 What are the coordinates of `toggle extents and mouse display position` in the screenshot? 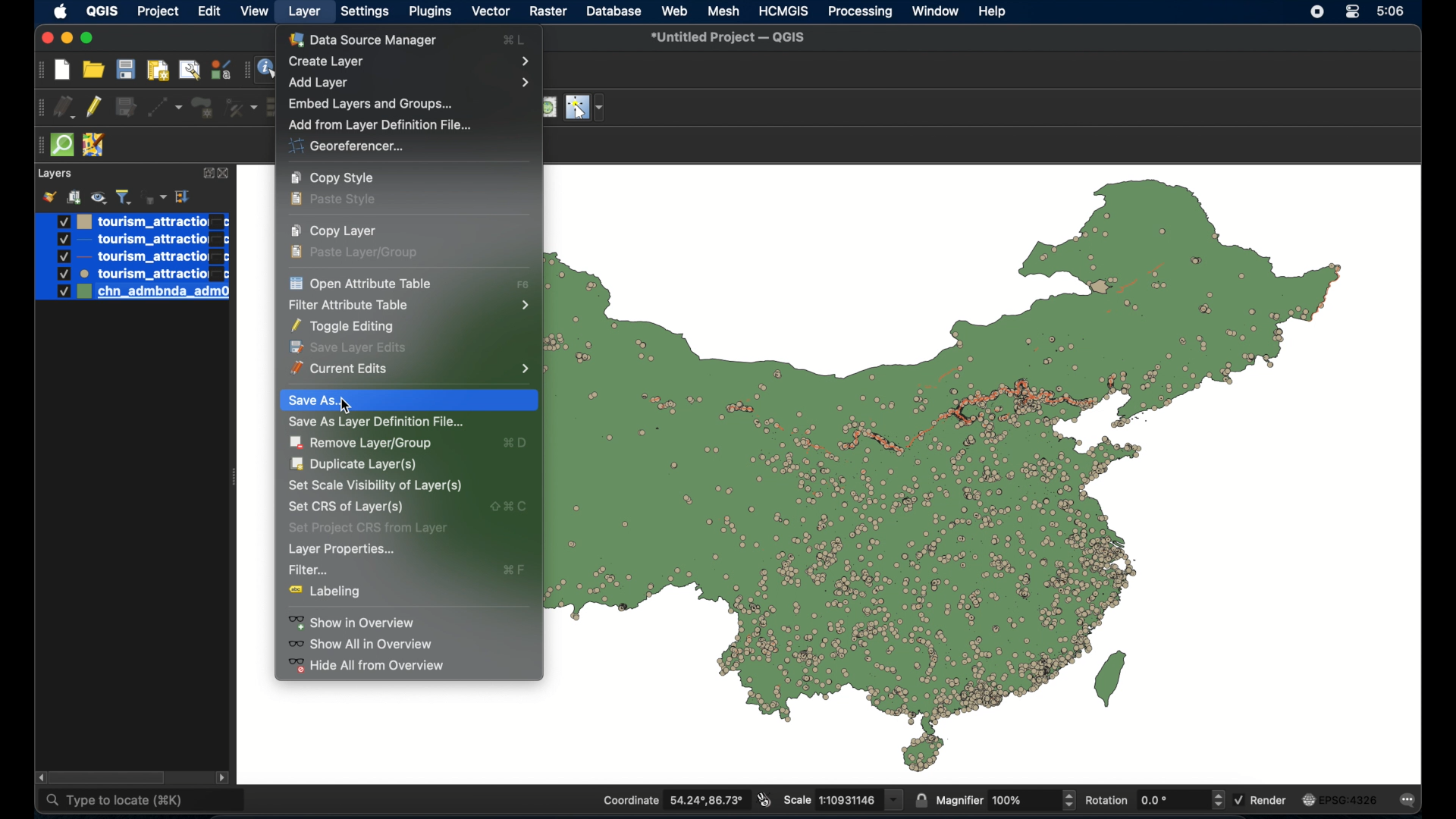 It's located at (765, 801).